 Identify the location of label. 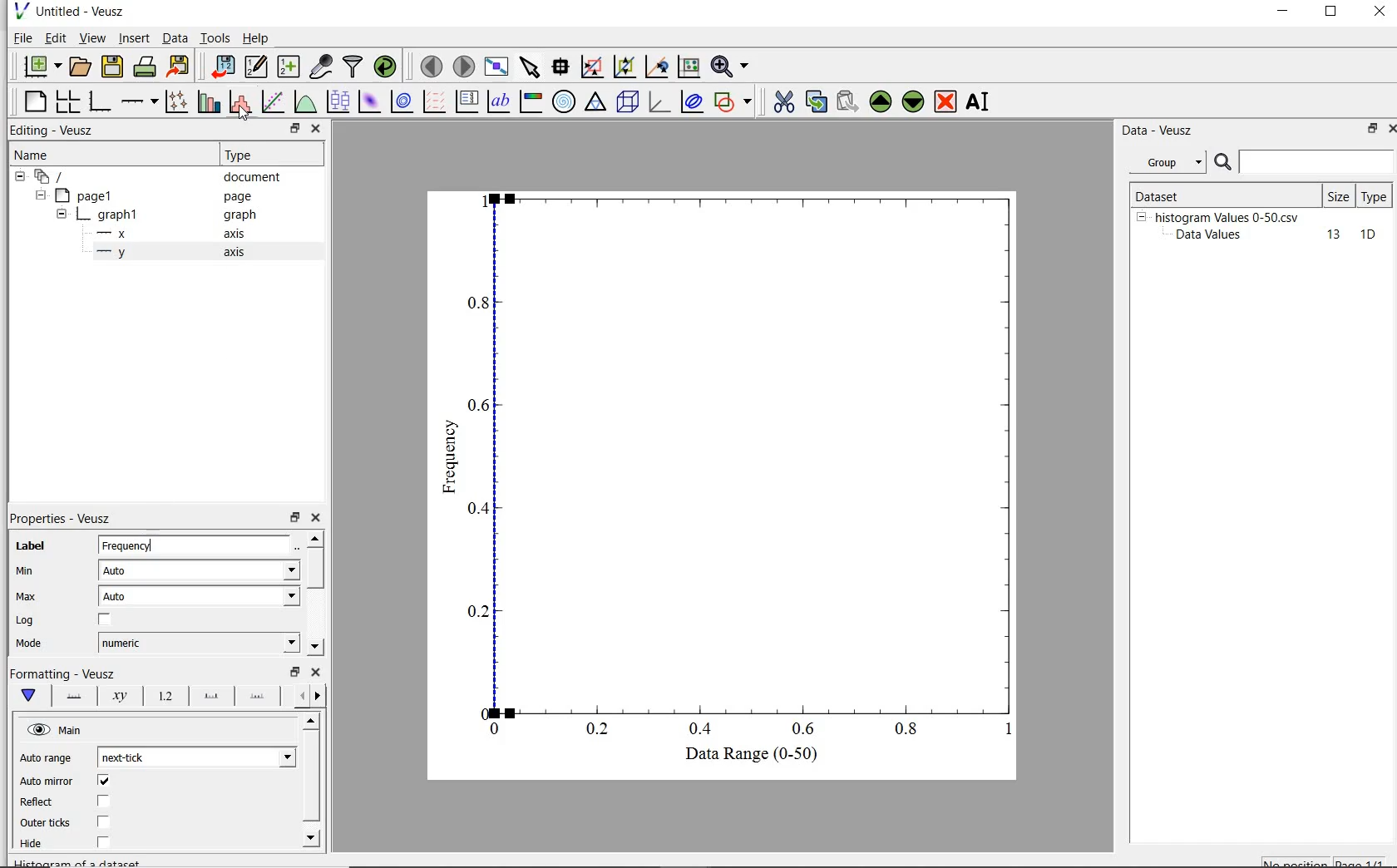
(31, 546).